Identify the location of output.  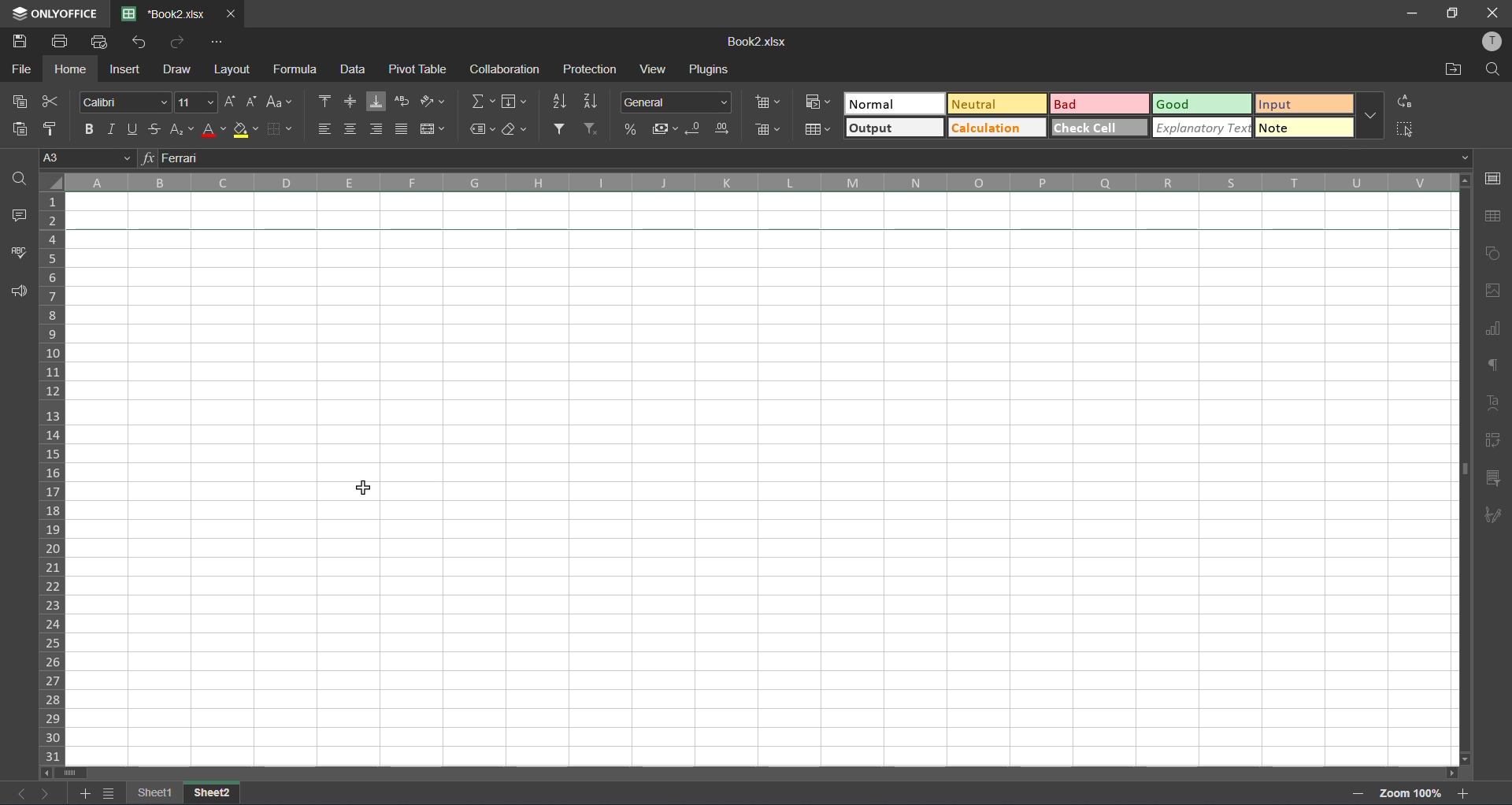
(894, 127).